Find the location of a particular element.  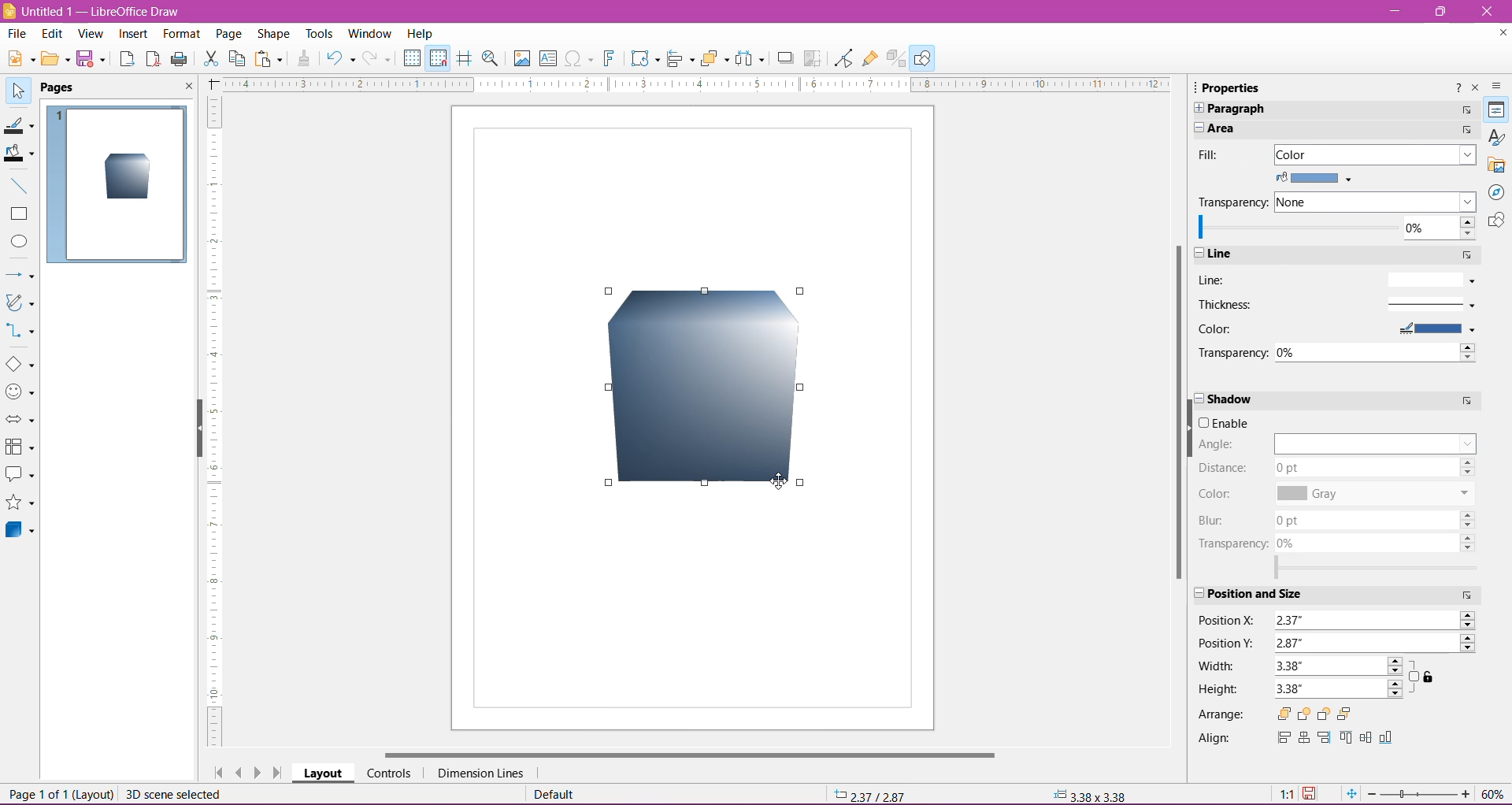

Cube Shape Inserted is located at coordinates (706, 388).